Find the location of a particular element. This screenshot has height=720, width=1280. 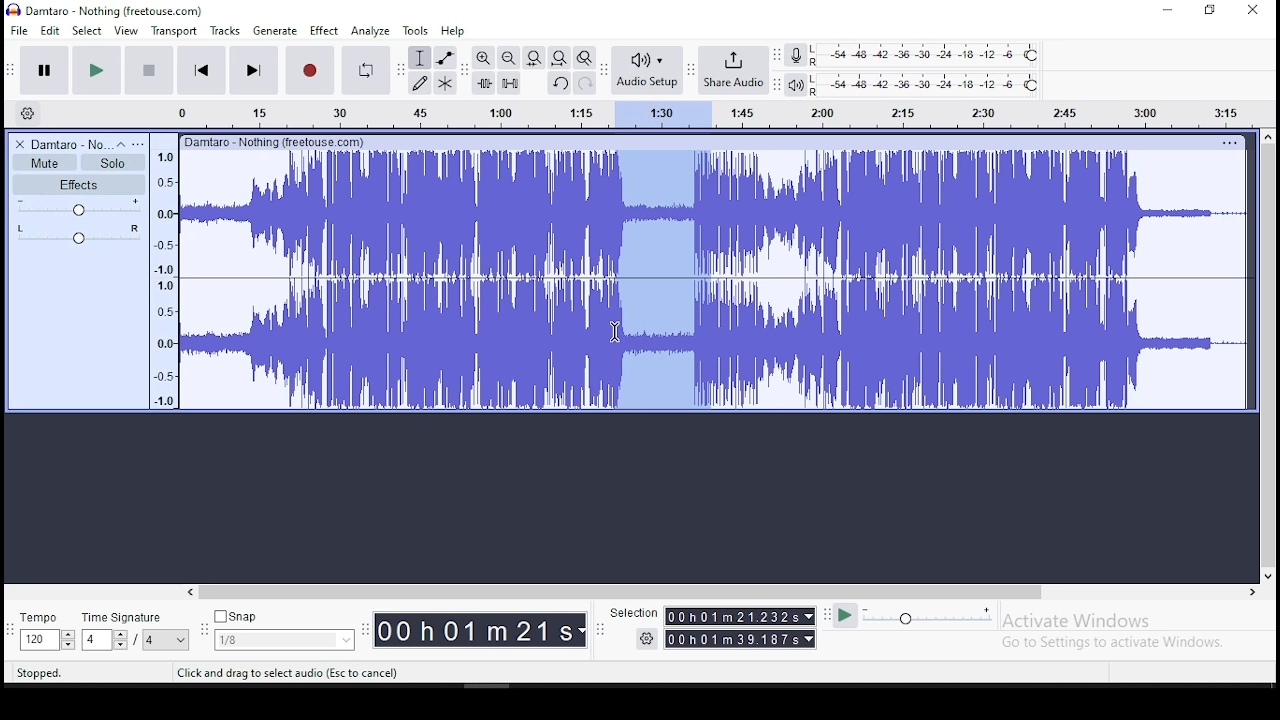

Maximize is located at coordinates (1210, 10).